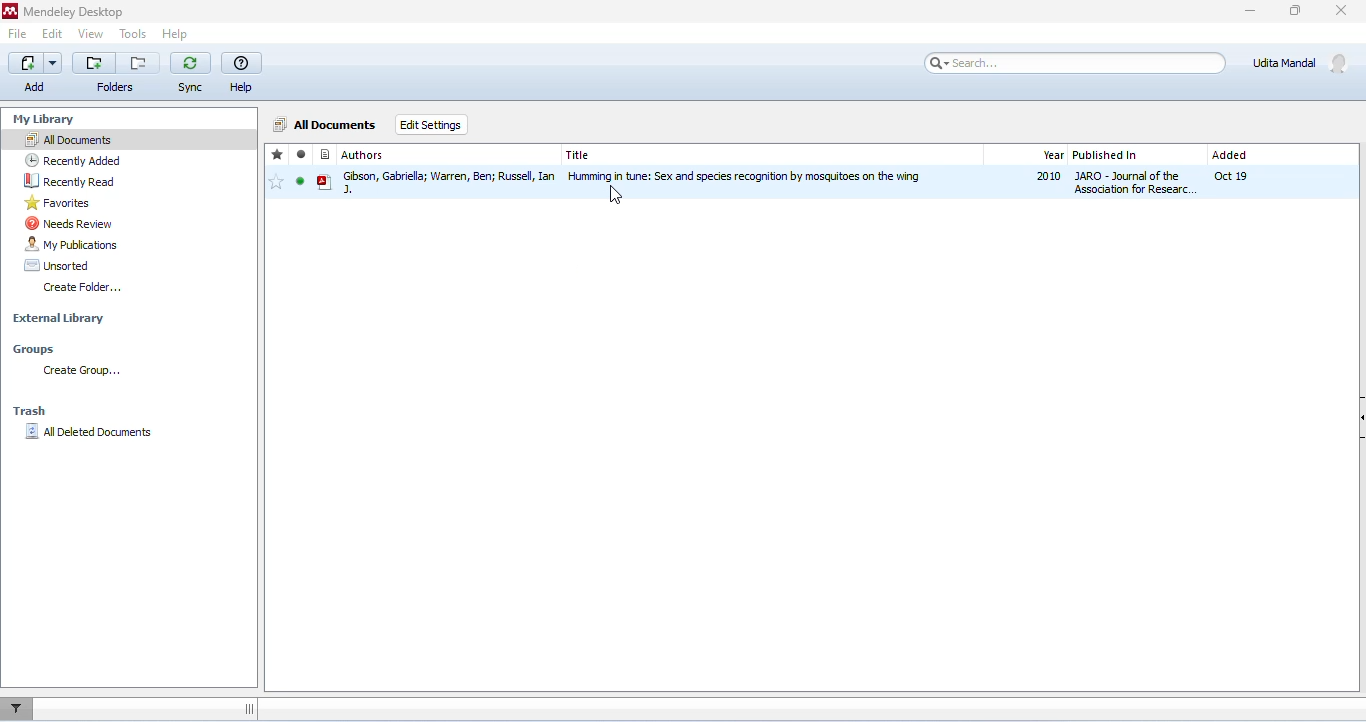 Image resolution: width=1366 pixels, height=722 pixels. What do you see at coordinates (58, 265) in the screenshot?
I see `unsorted` at bounding box center [58, 265].